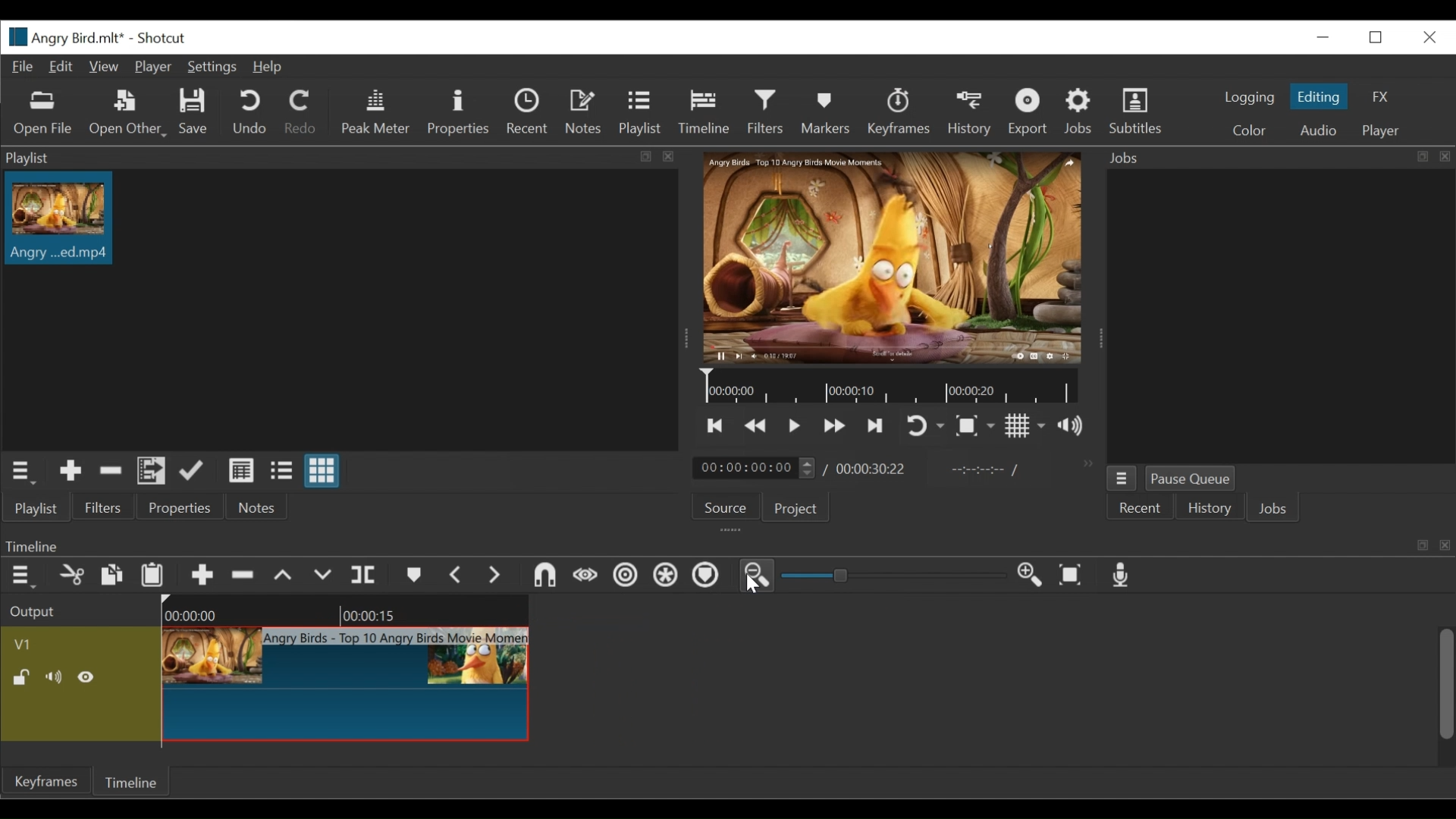  I want to click on Clip, so click(58, 218).